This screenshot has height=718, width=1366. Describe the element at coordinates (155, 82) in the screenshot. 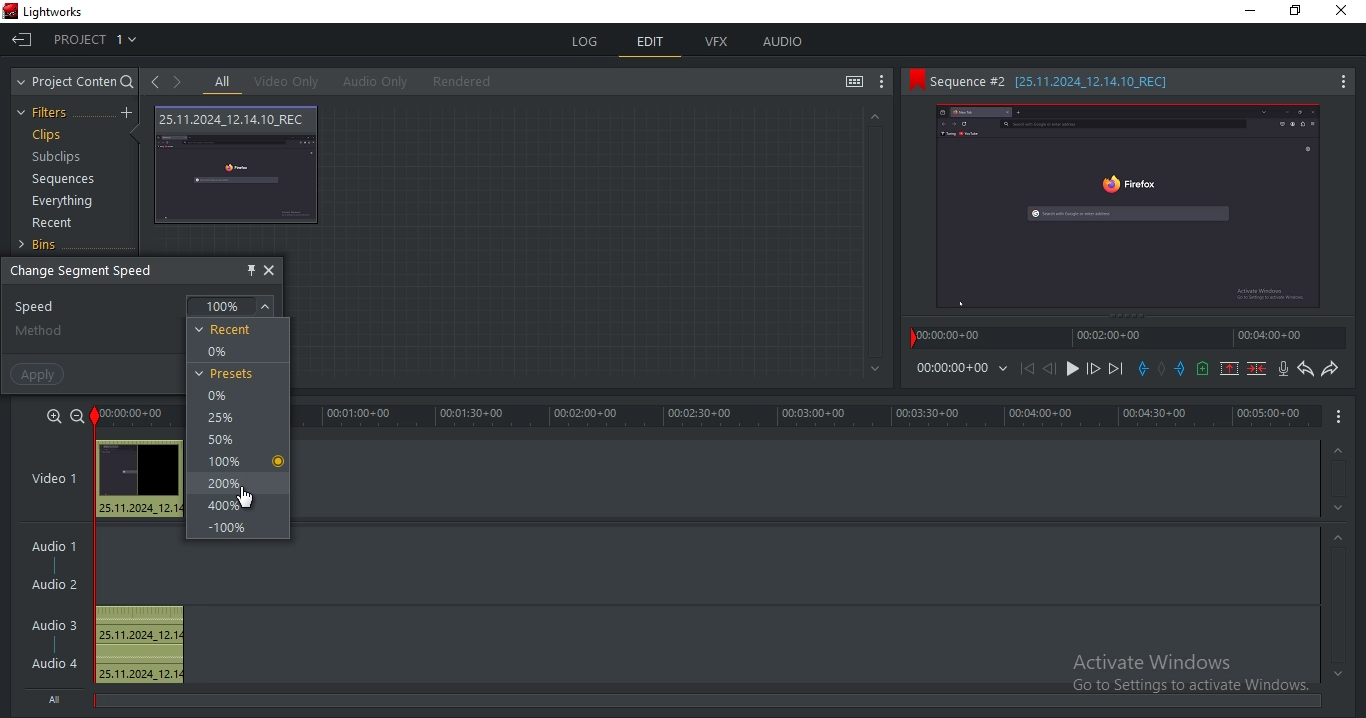

I see `open previous clip` at that location.